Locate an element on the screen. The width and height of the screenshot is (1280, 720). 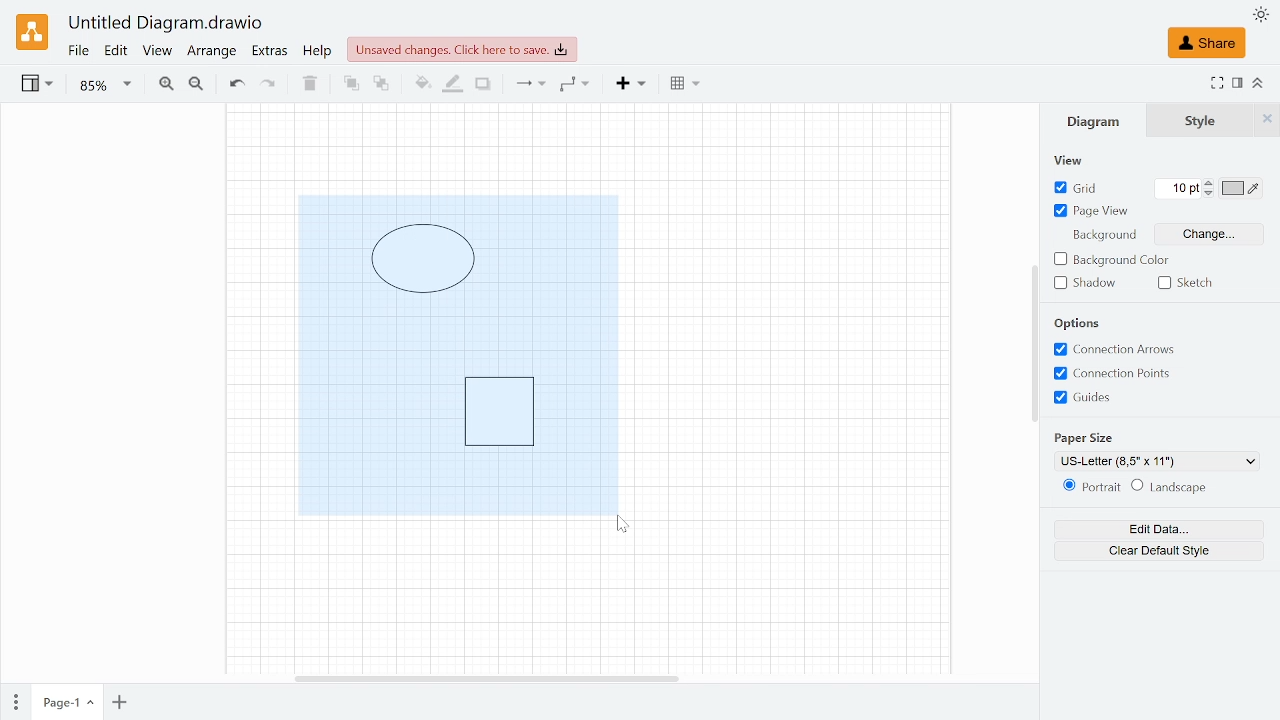
View is located at coordinates (1080, 160).